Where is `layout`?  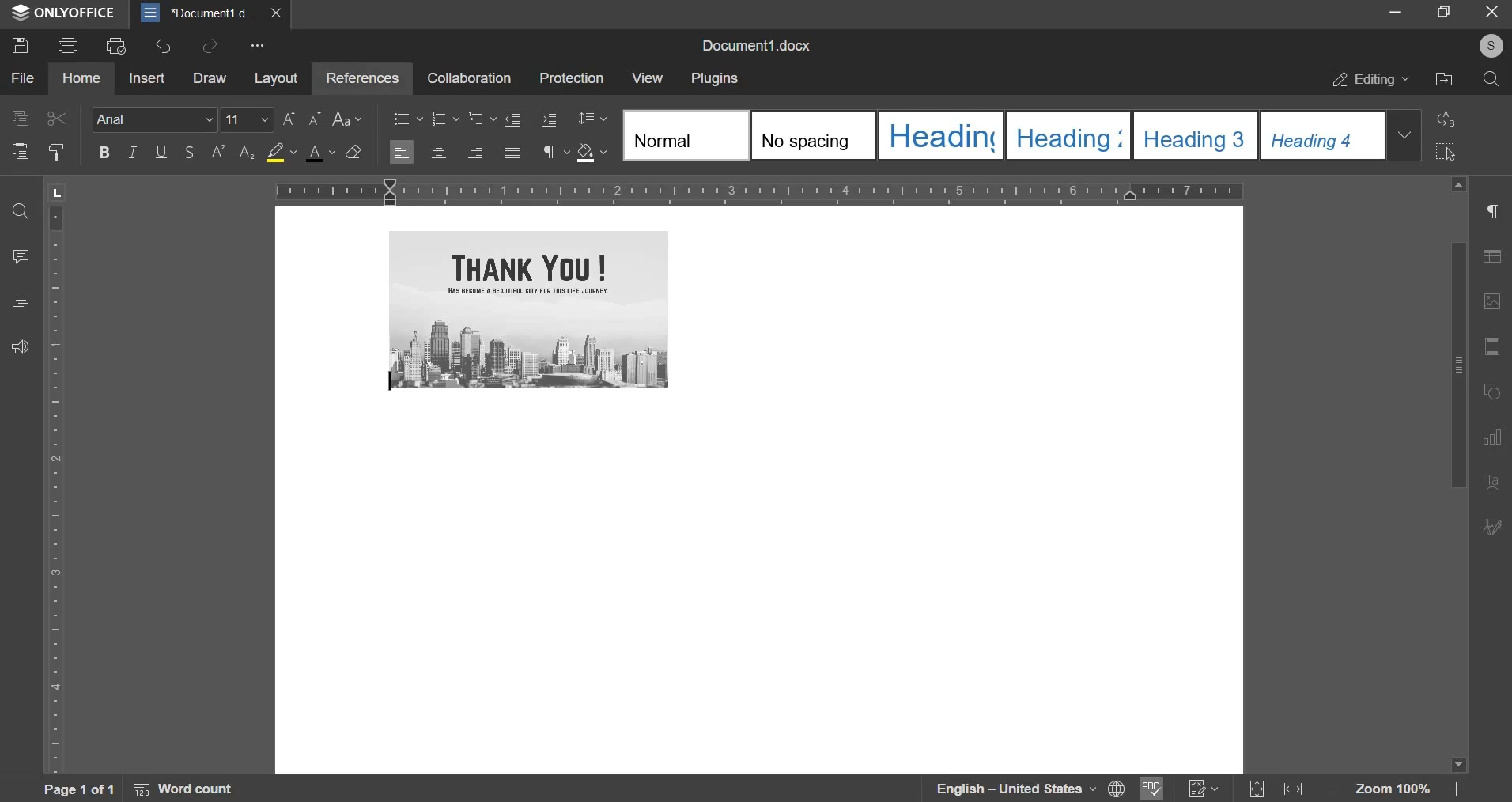
layout is located at coordinates (276, 80).